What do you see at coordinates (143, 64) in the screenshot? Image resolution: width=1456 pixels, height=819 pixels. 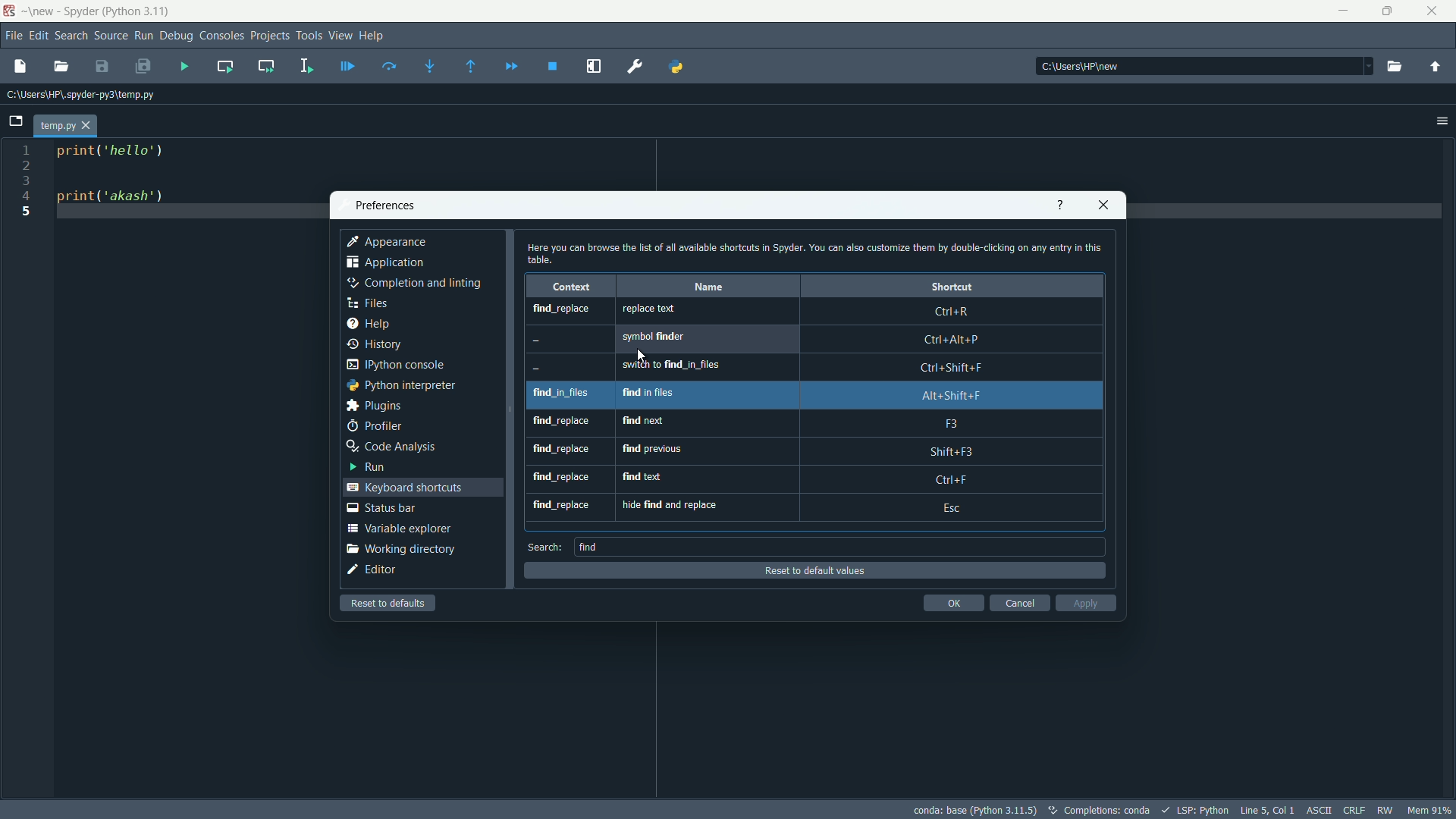 I see `save all file` at bounding box center [143, 64].